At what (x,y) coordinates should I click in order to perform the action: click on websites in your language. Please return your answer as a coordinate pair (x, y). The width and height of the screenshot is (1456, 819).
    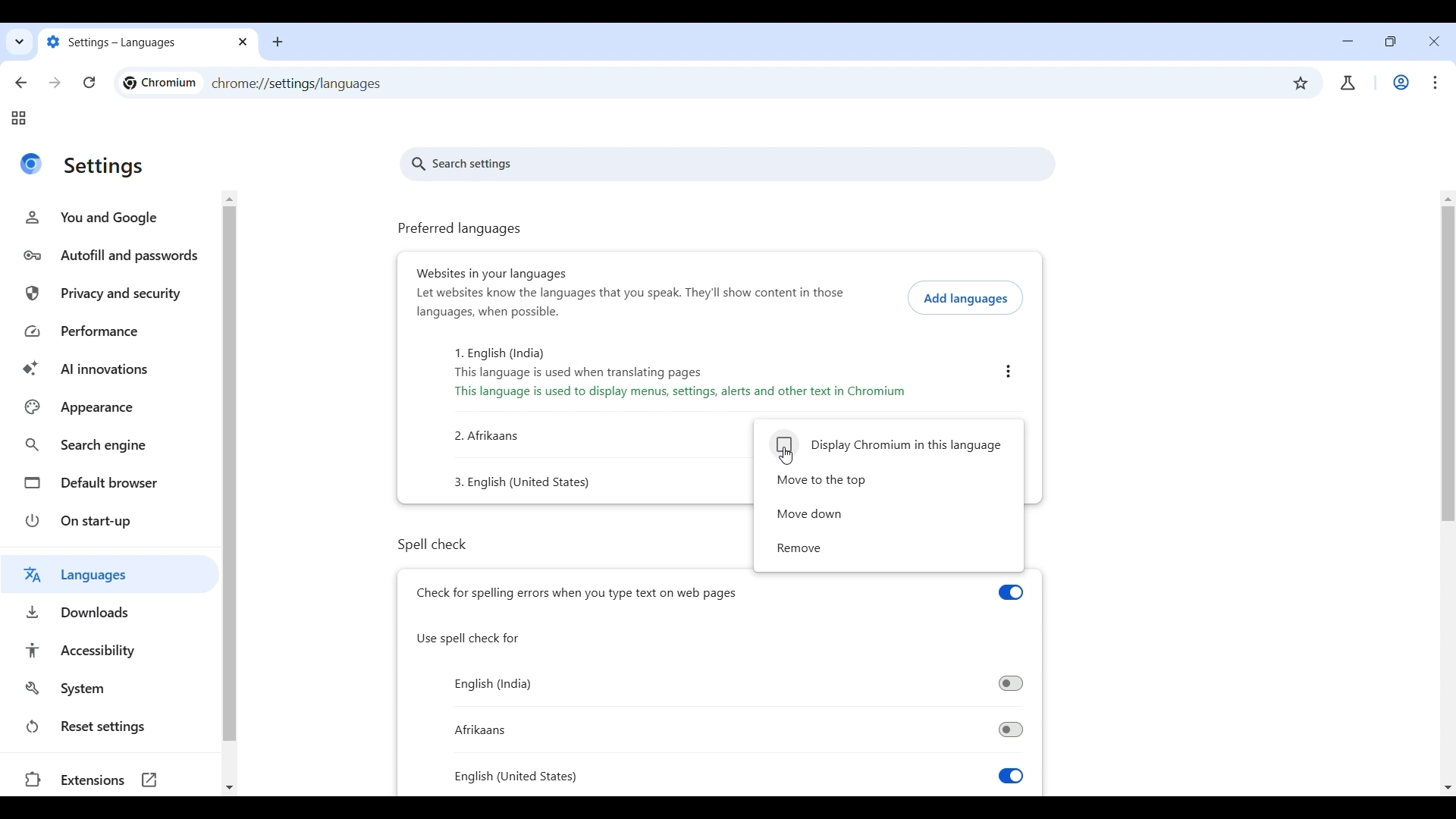
    Looking at the image, I should click on (488, 272).